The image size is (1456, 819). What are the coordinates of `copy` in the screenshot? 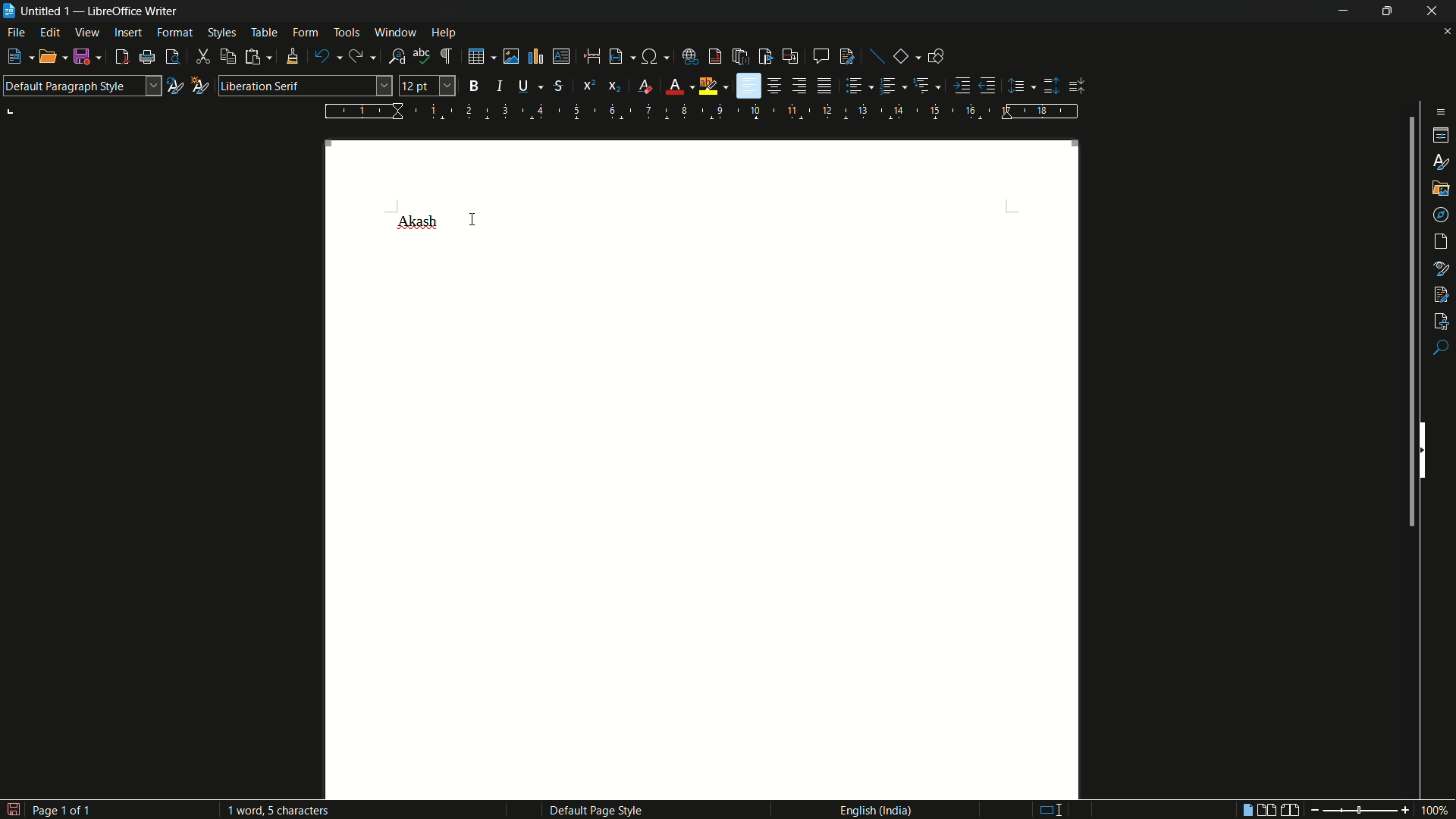 It's located at (228, 57).